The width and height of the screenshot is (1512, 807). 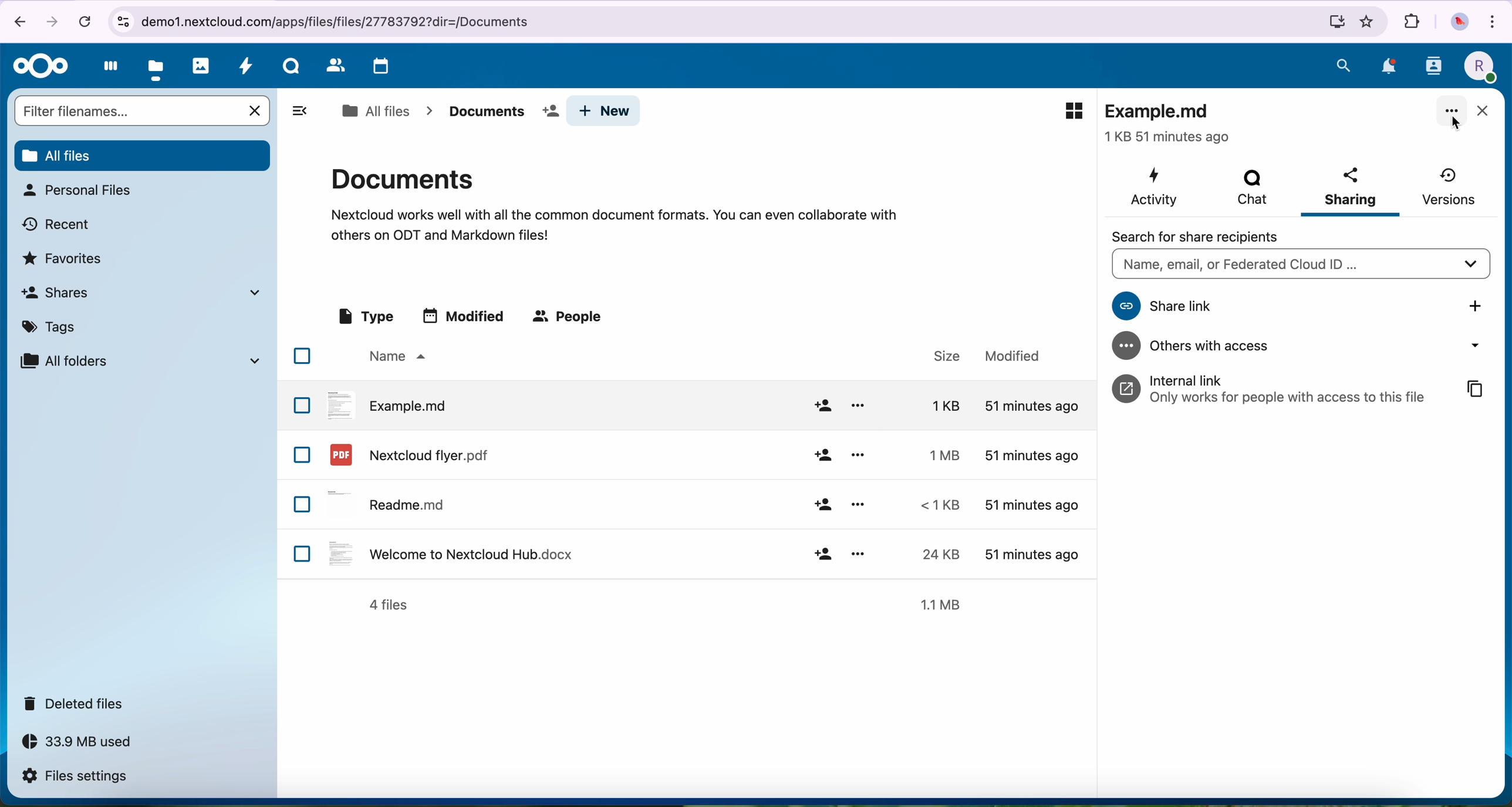 What do you see at coordinates (570, 318) in the screenshot?
I see `people` at bounding box center [570, 318].